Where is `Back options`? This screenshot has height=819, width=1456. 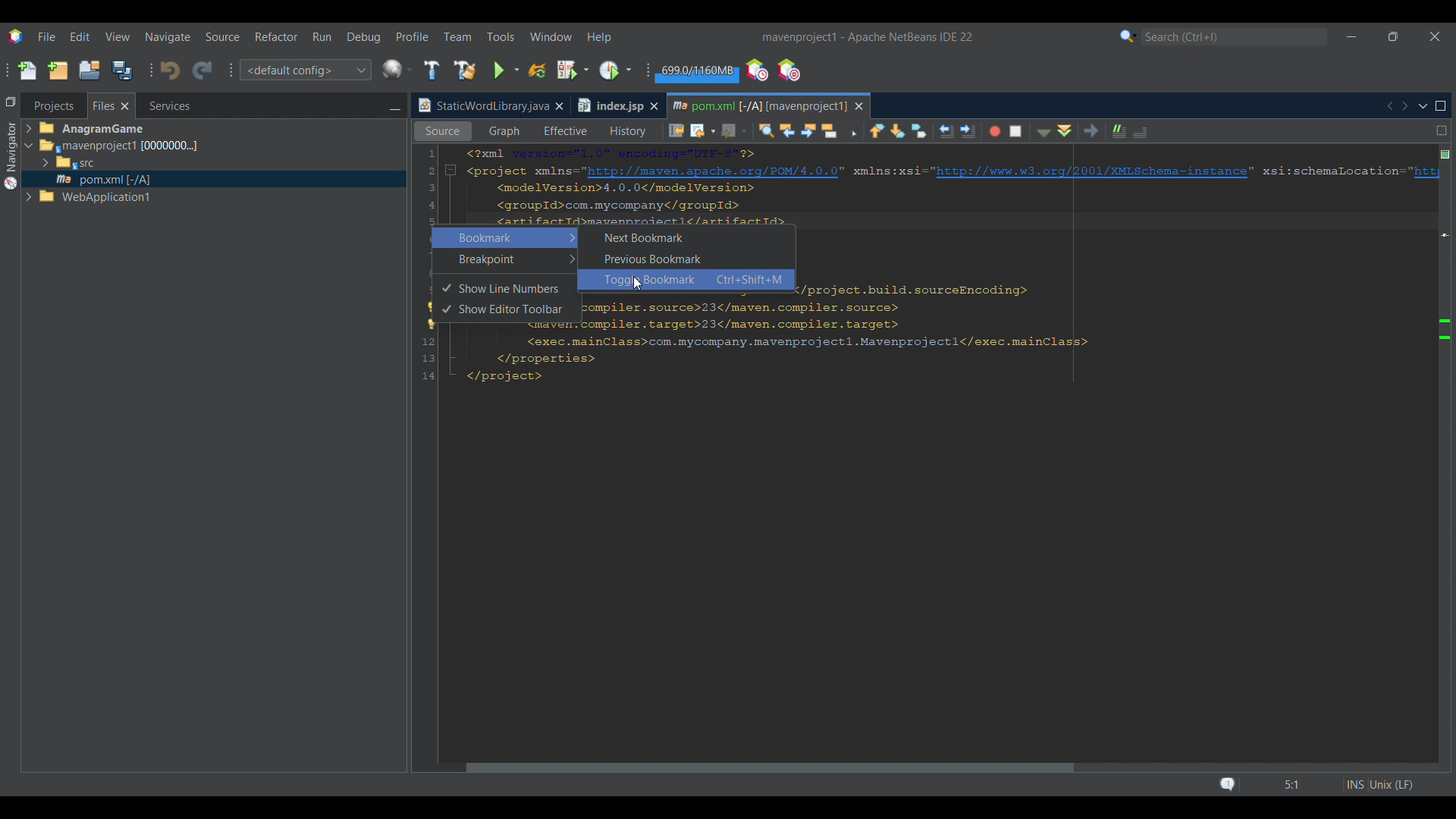 Back options is located at coordinates (699, 130).